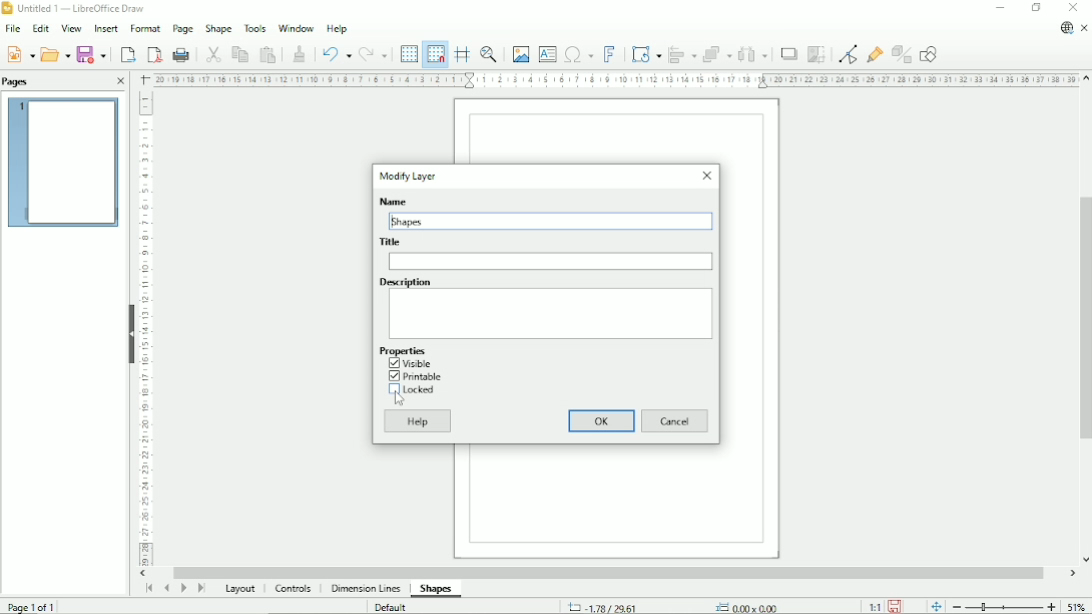  Describe the element at coordinates (675, 420) in the screenshot. I see `Cancel` at that location.